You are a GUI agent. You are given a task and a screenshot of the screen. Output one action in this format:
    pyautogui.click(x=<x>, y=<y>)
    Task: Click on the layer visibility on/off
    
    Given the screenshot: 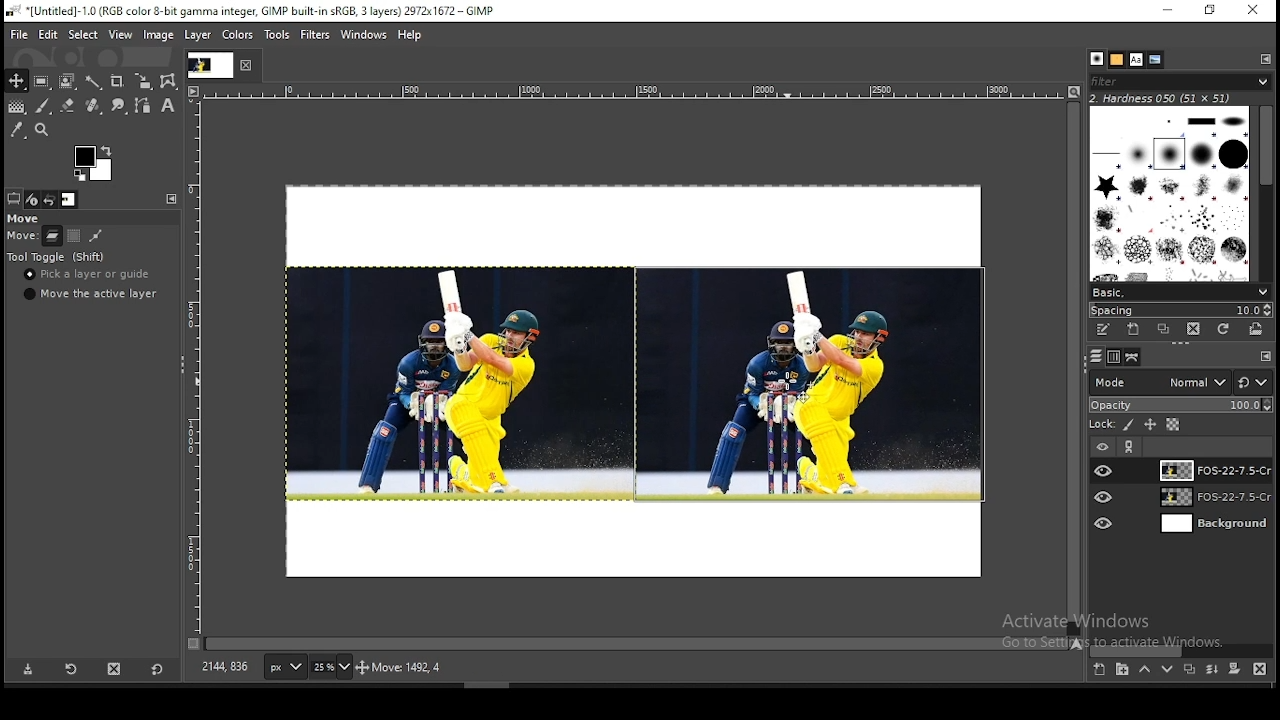 What is the action you would take?
    pyautogui.click(x=1105, y=497)
    